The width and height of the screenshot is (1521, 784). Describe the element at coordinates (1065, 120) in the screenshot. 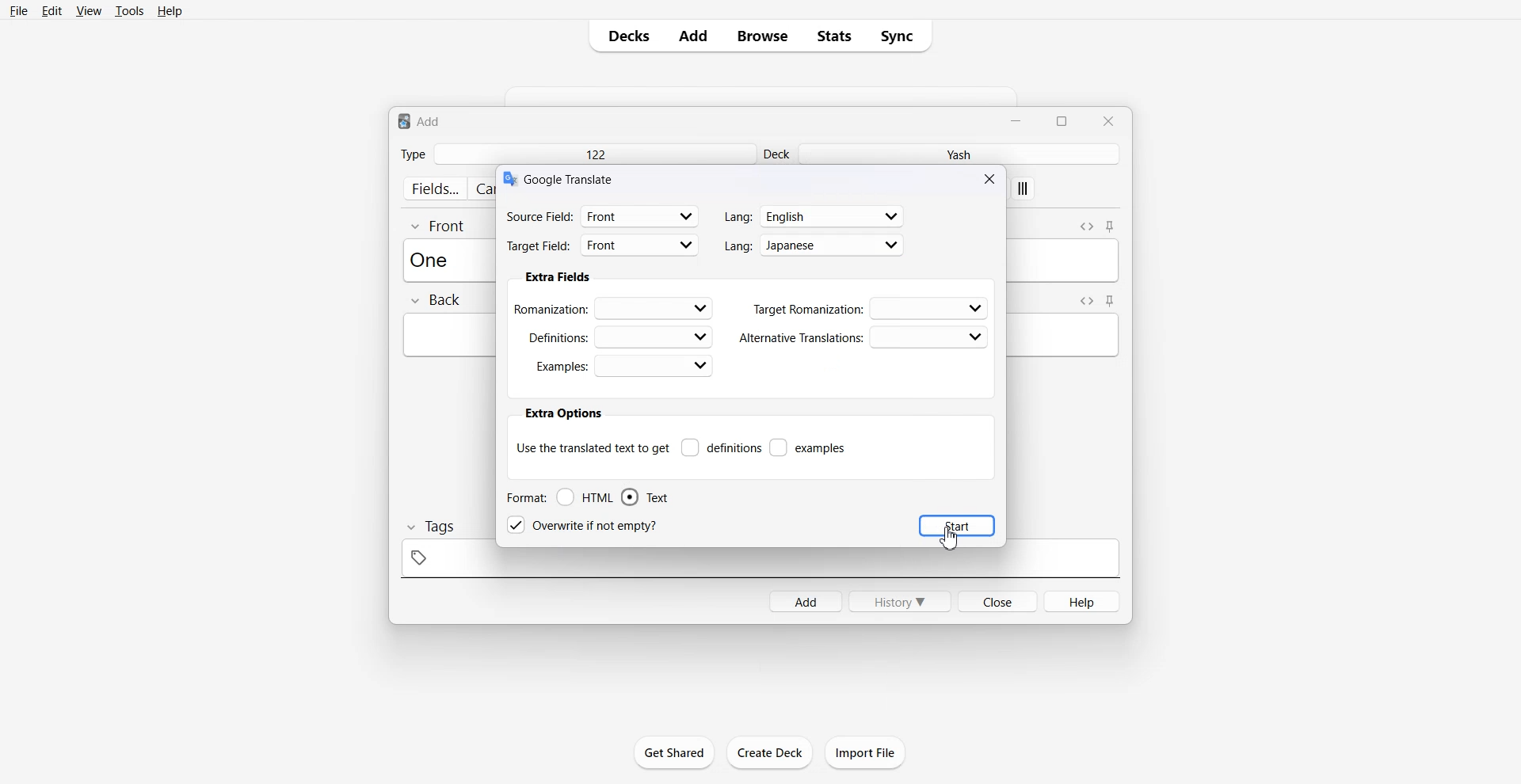

I see `Maximize` at that location.